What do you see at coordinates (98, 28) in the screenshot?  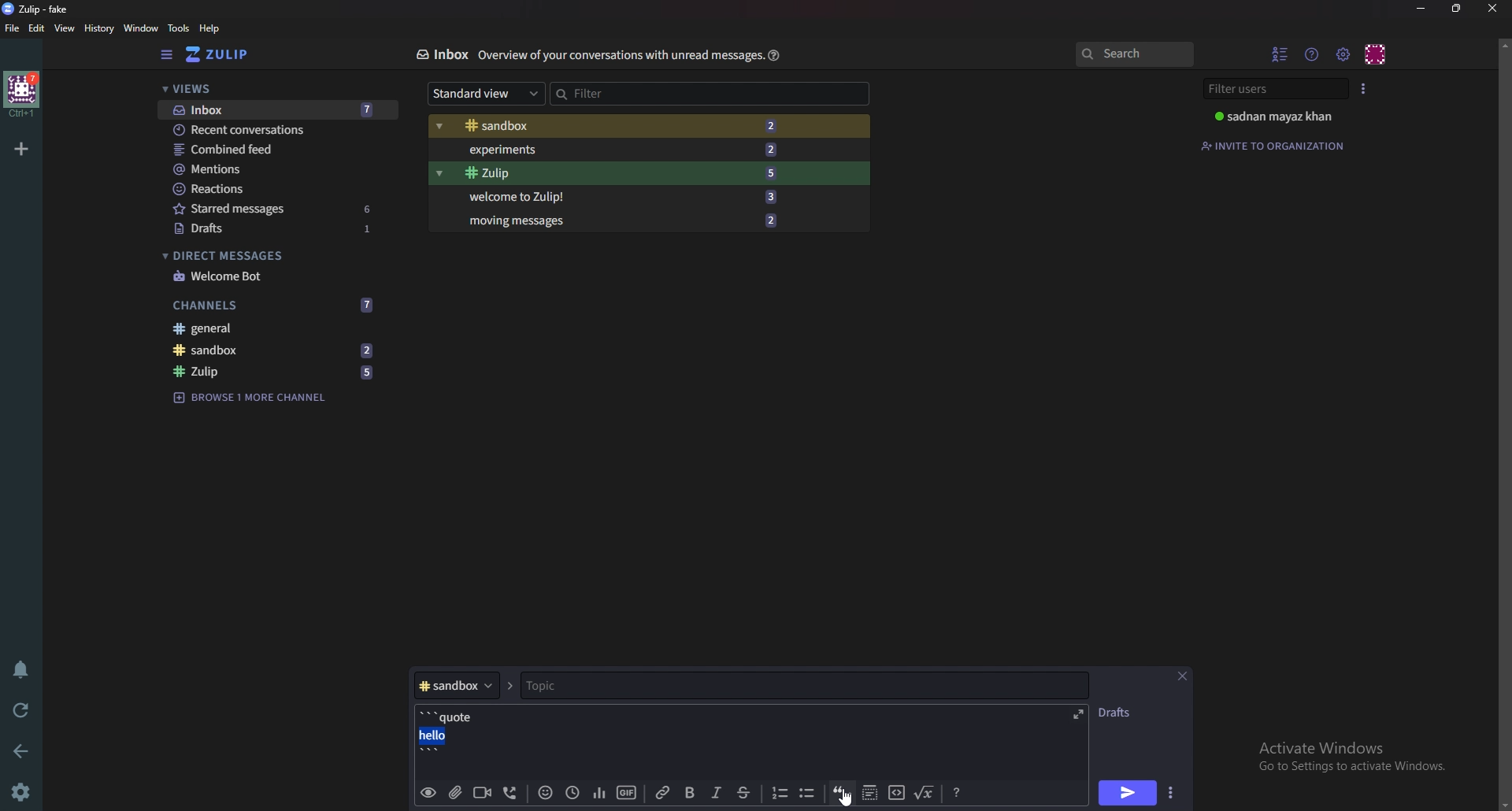 I see `History` at bounding box center [98, 28].